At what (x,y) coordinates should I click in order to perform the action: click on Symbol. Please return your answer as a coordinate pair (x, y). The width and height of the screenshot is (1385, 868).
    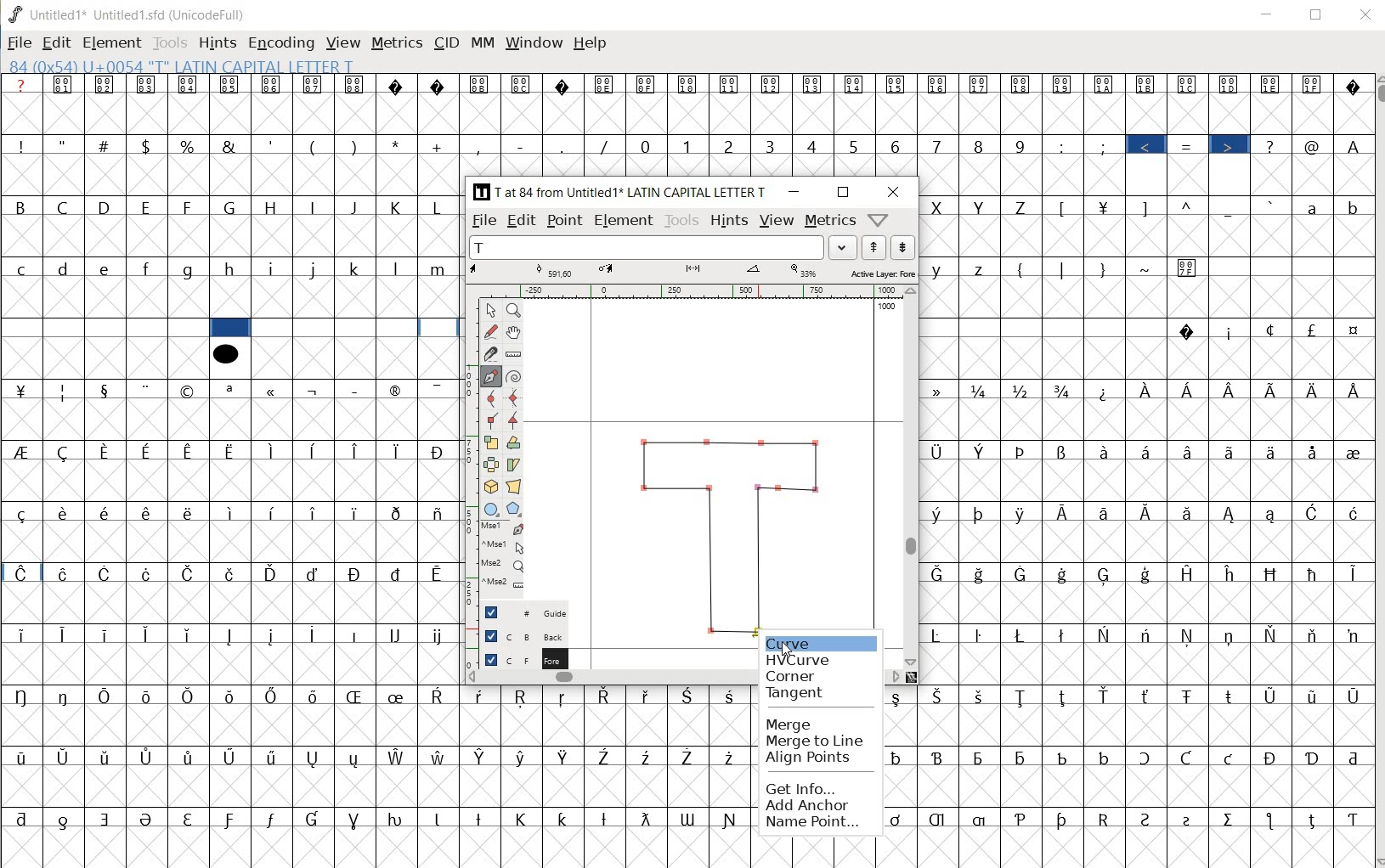
    Looking at the image, I should click on (1352, 450).